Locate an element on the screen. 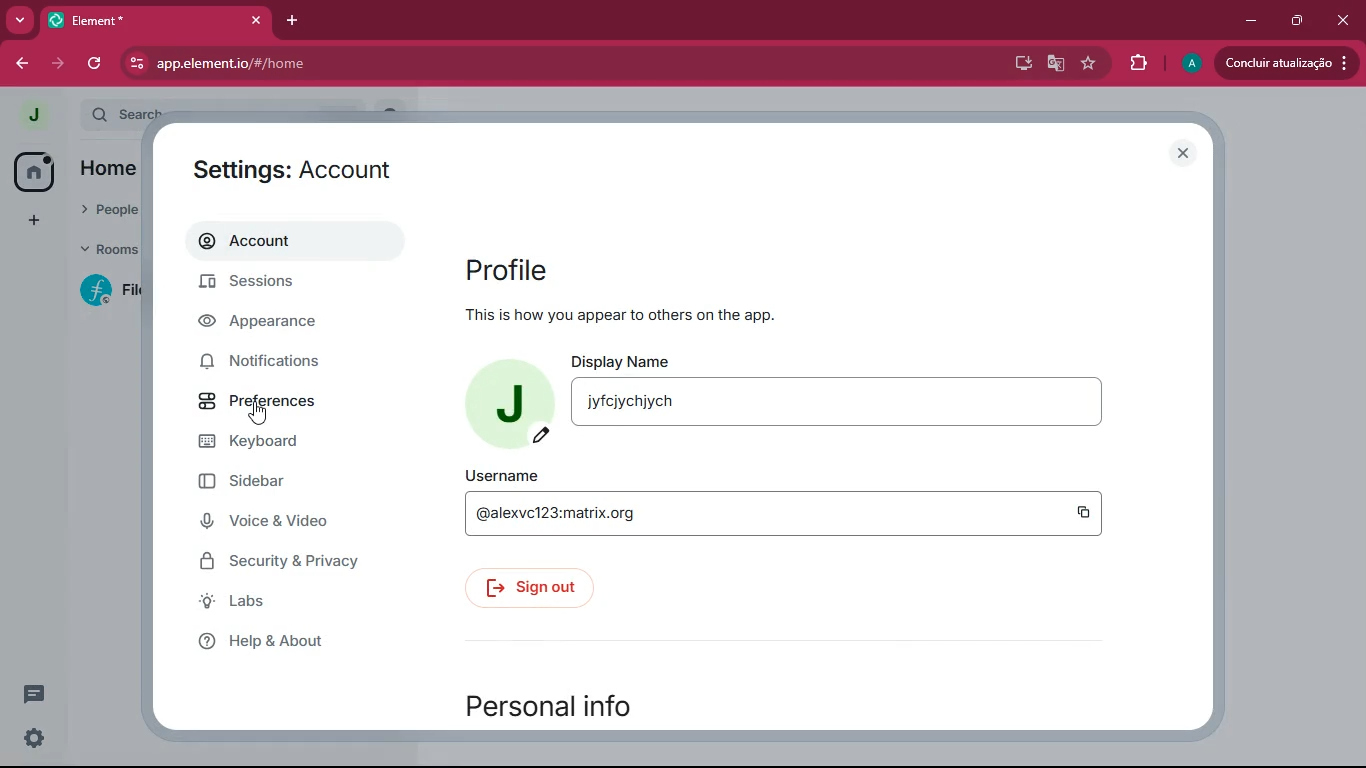  add tab is located at coordinates (296, 20).